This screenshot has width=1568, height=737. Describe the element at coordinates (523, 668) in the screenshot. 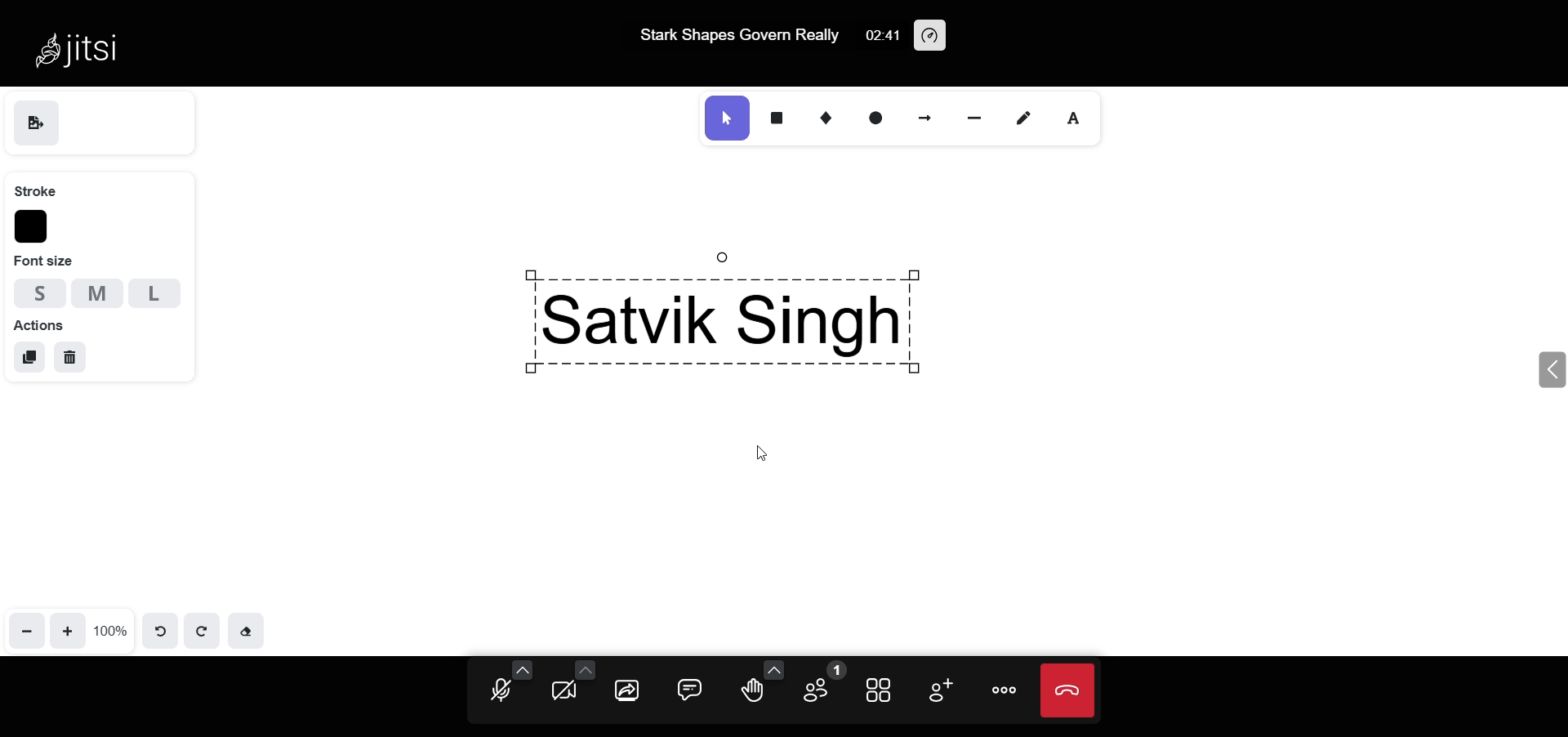

I see `more audio option` at that location.